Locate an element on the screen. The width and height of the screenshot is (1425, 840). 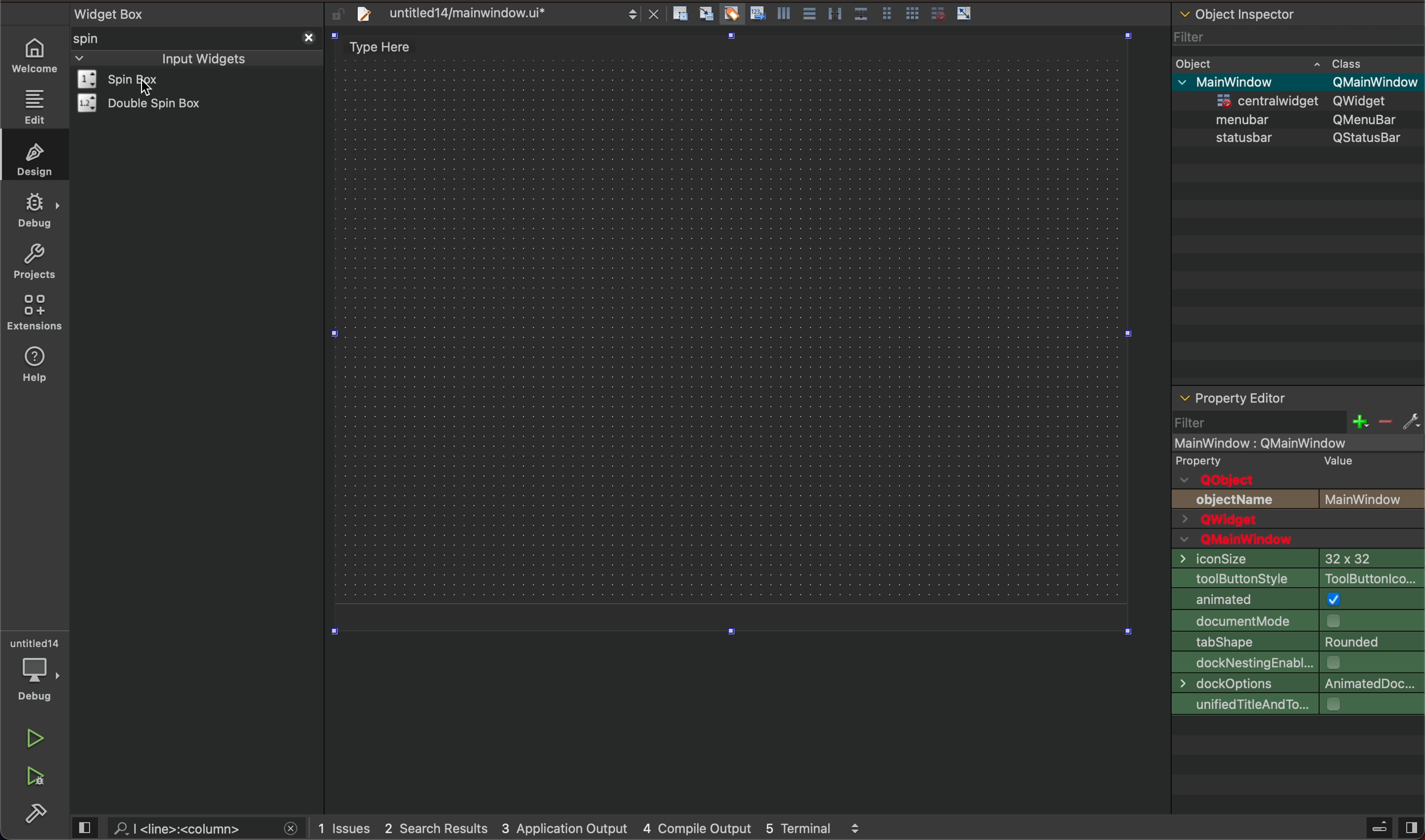
dock option is located at coordinates (1295, 684).